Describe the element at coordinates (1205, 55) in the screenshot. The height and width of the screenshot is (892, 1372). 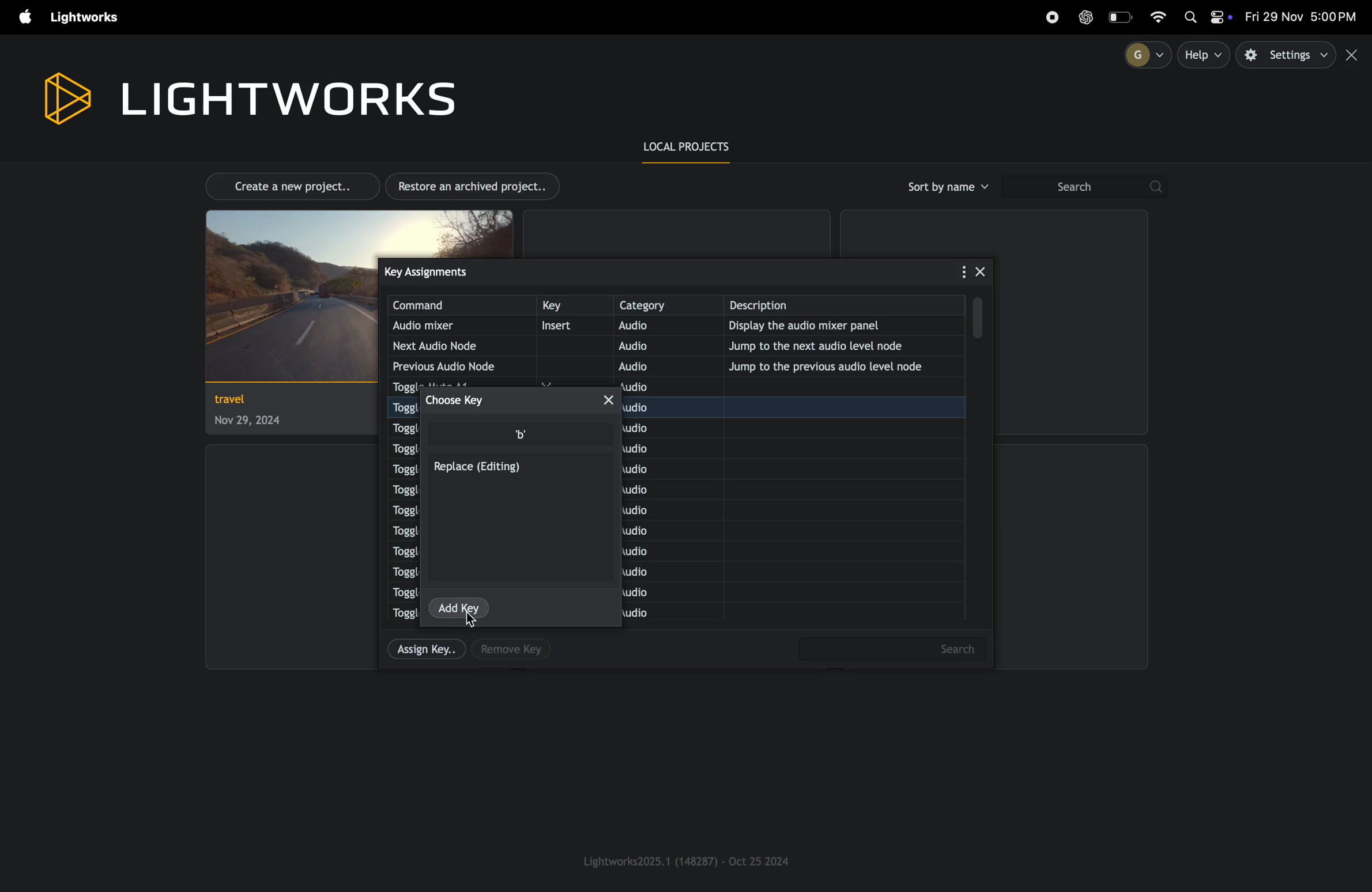
I see `help` at that location.